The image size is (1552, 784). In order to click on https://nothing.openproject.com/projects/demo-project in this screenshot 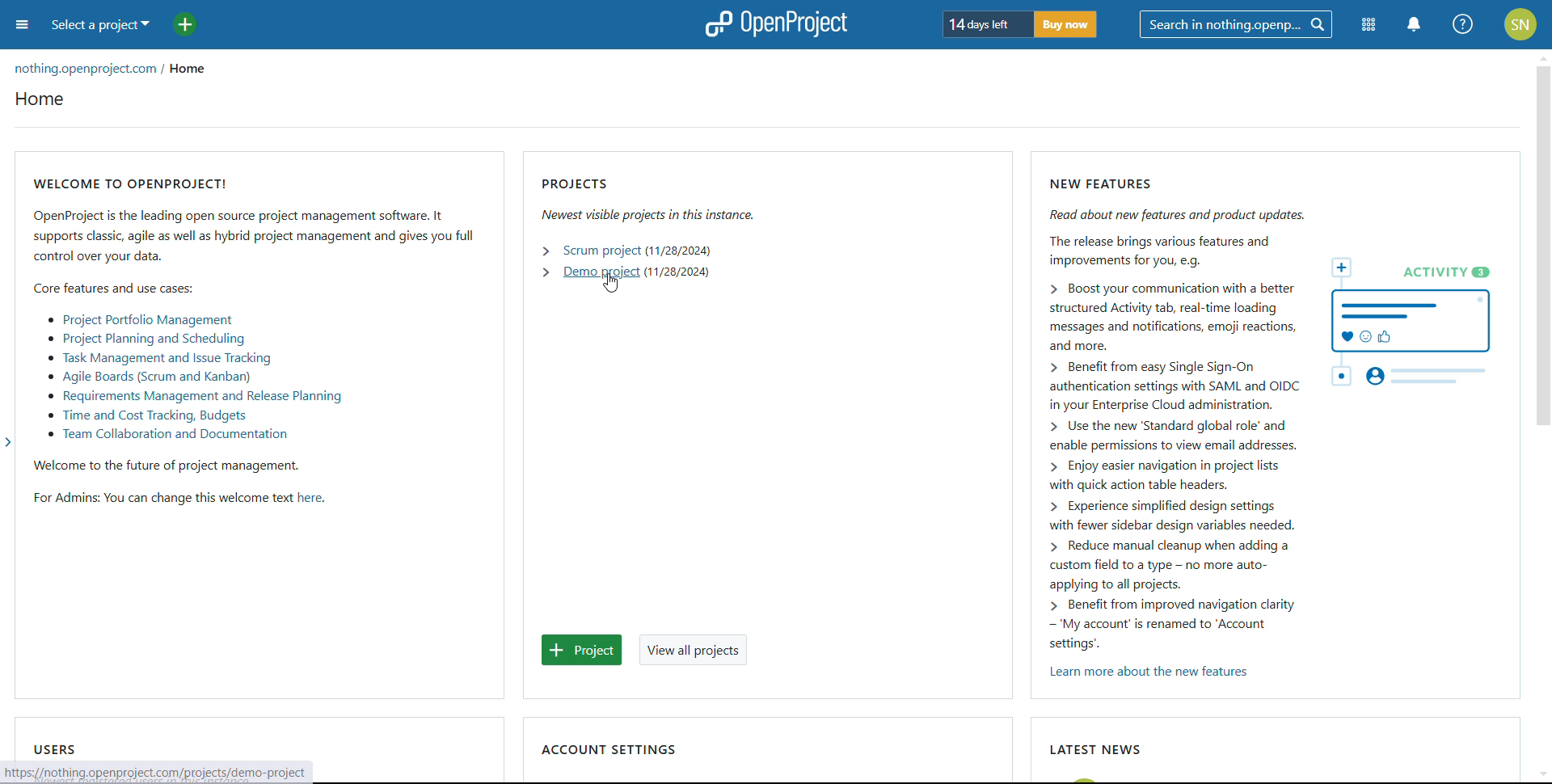, I will do `click(162, 771)`.